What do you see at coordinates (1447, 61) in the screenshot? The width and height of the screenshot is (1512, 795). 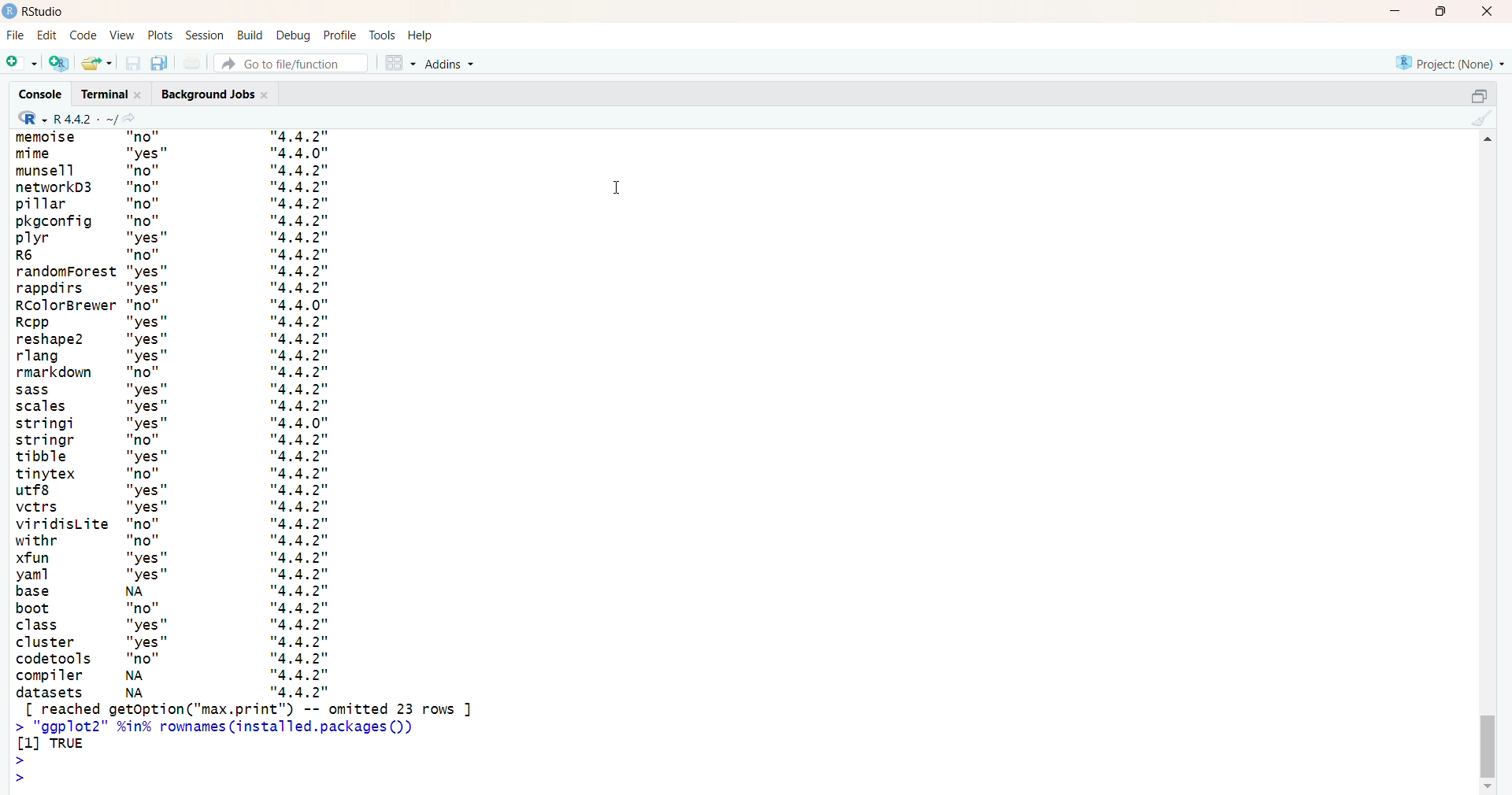 I see `project(none)` at bounding box center [1447, 61].